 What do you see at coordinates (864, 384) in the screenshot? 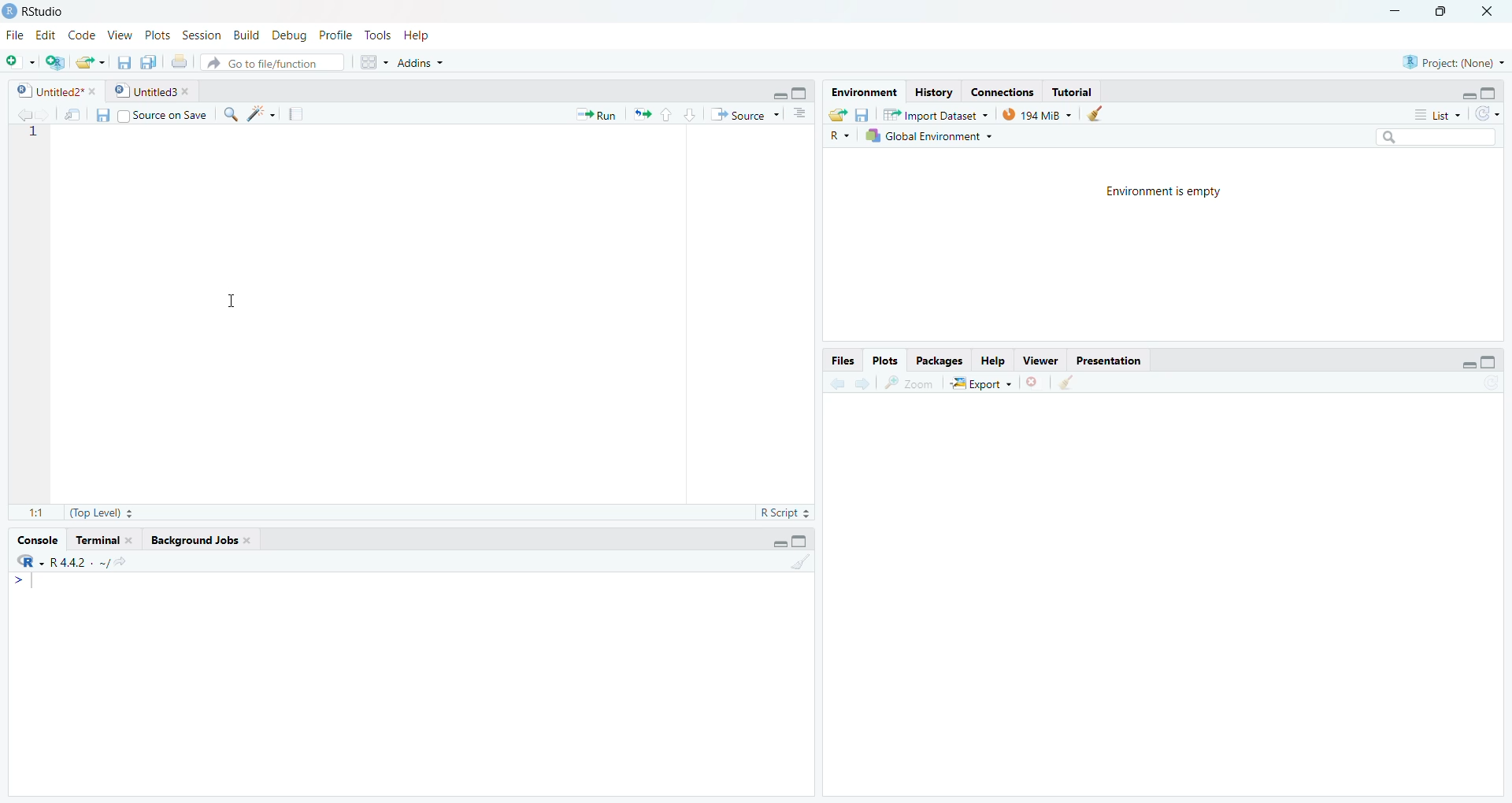
I see `move forward` at bounding box center [864, 384].